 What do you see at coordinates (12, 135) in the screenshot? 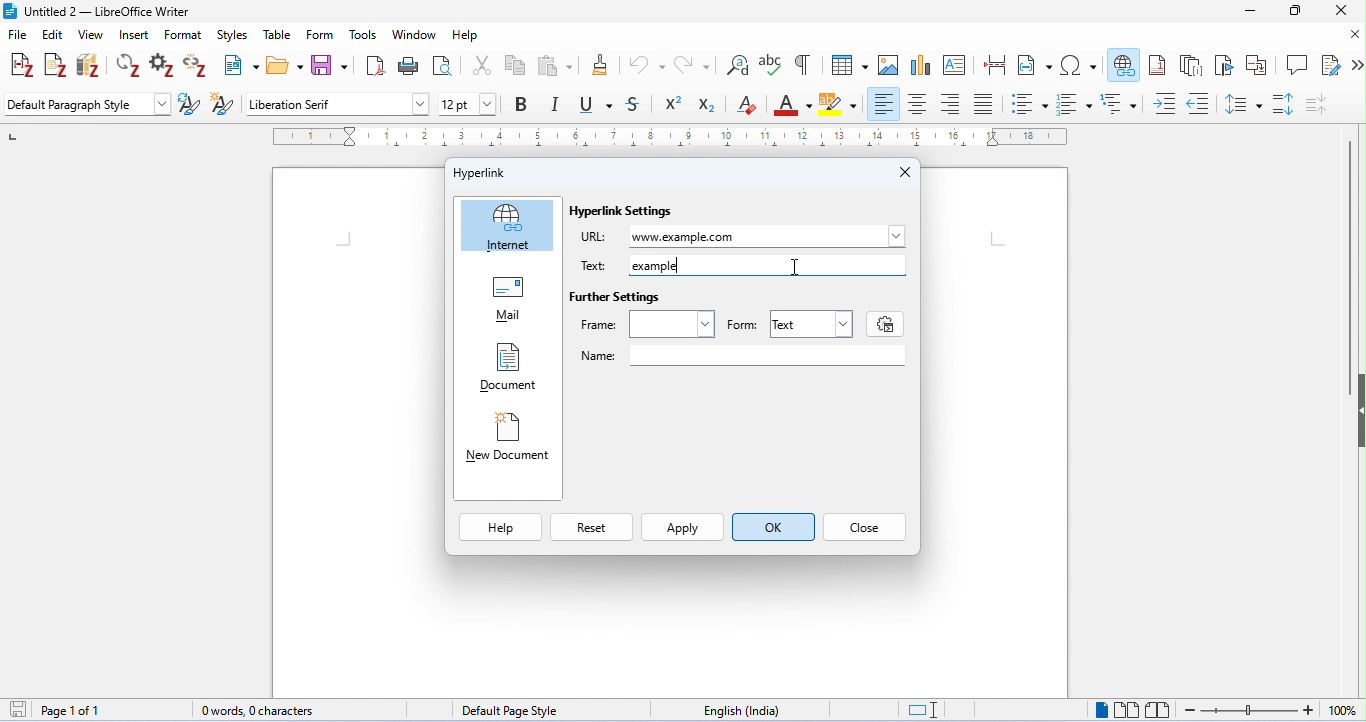
I see `left numbering in ruler` at bounding box center [12, 135].